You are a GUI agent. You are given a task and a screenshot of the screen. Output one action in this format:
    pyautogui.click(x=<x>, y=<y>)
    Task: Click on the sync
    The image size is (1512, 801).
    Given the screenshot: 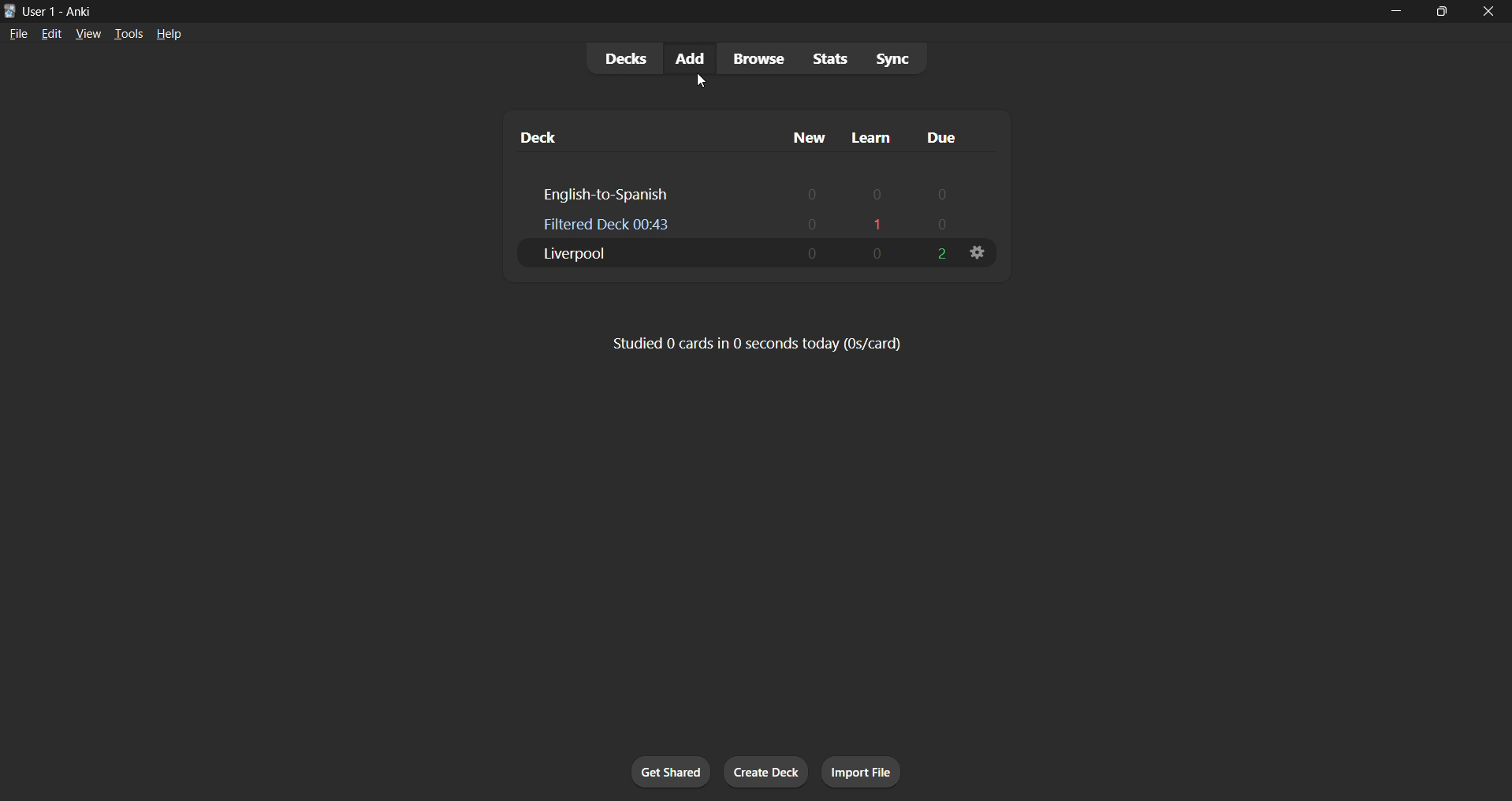 What is the action you would take?
    pyautogui.click(x=888, y=59)
    